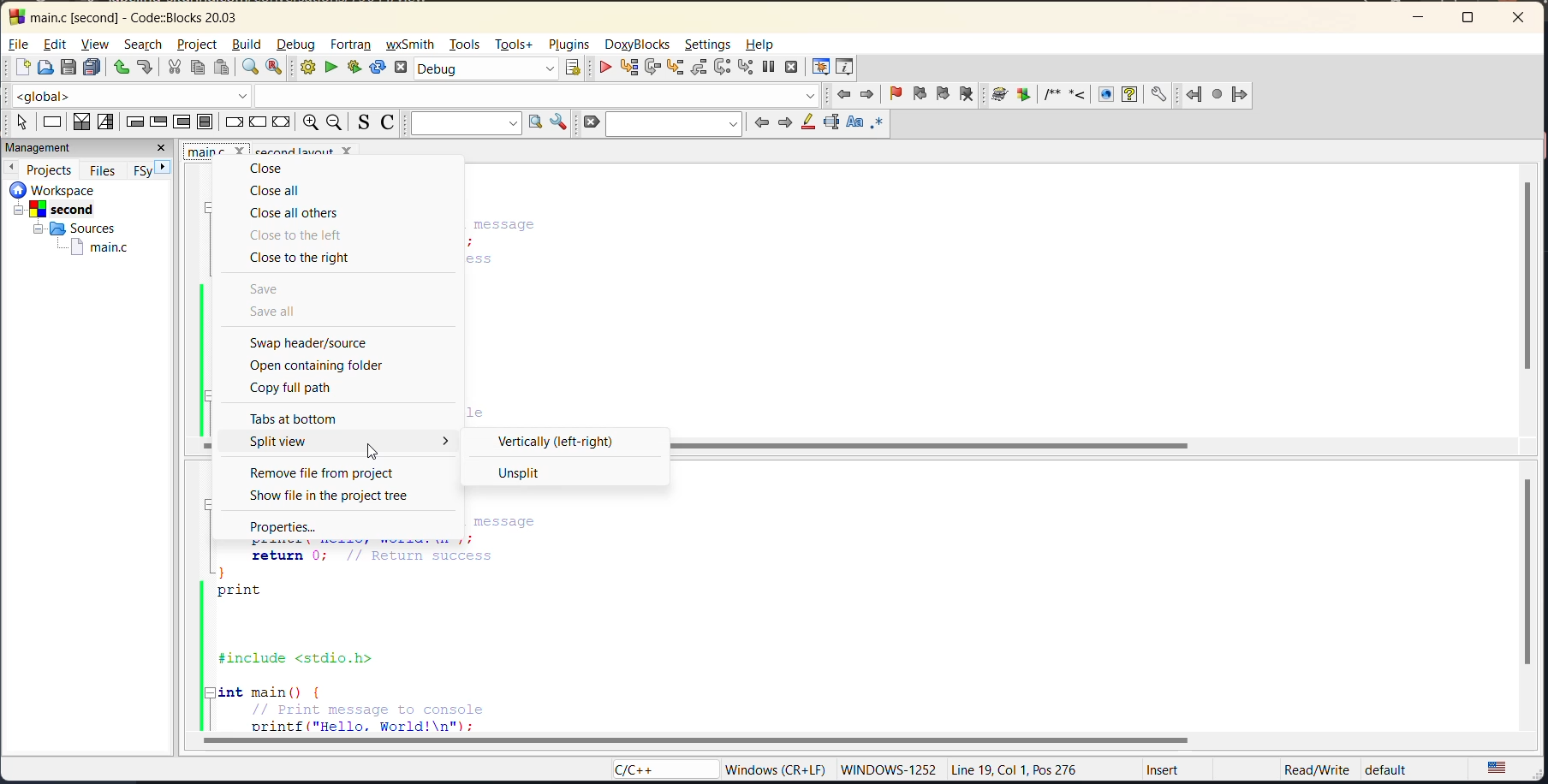 This screenshot has width=1548, height=784. I want to click on fortran, so click(354, 45).